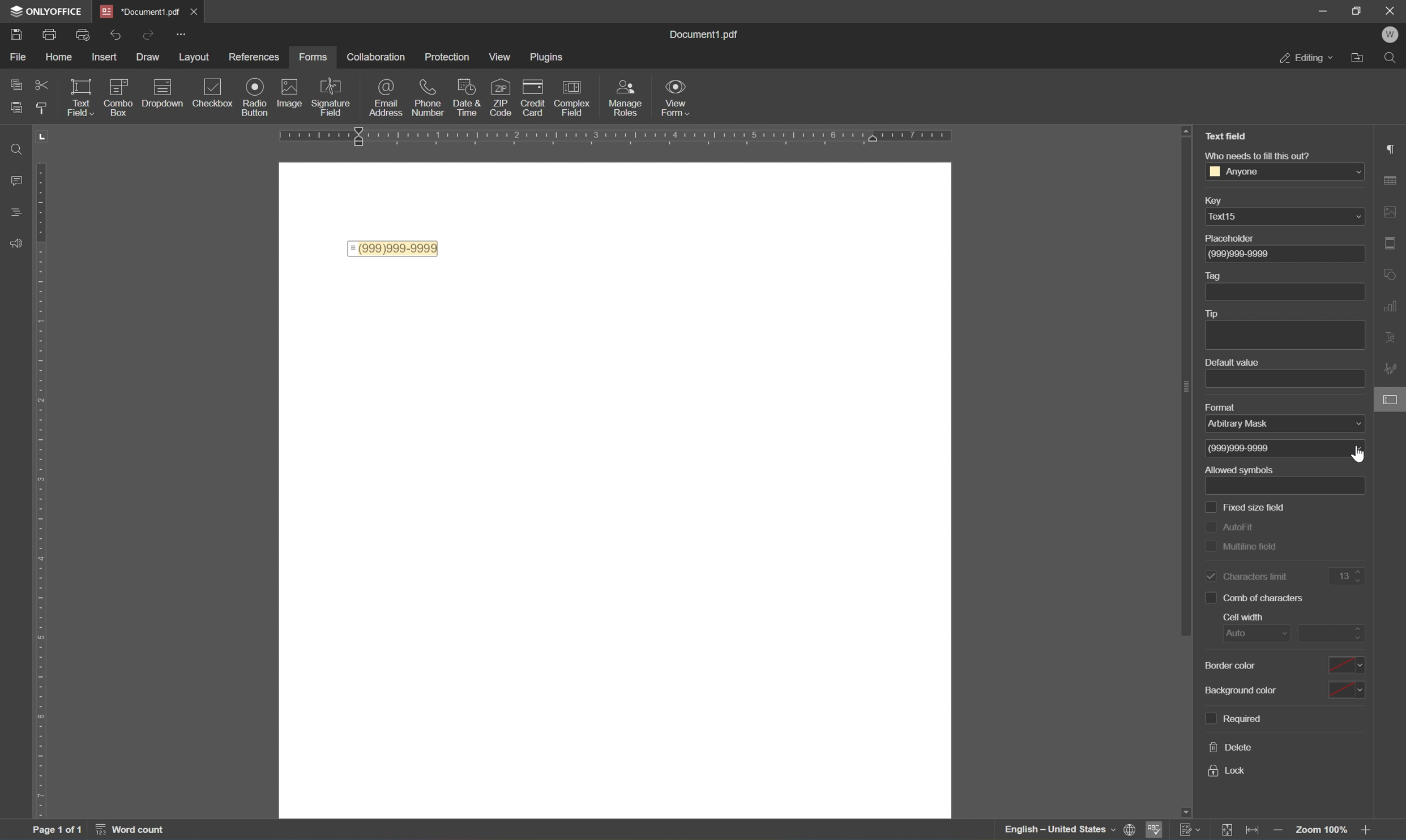  What do you see at coordinates (377, 57) in the screenshot?
I see `collaboration` at bounding box center [377, 57].